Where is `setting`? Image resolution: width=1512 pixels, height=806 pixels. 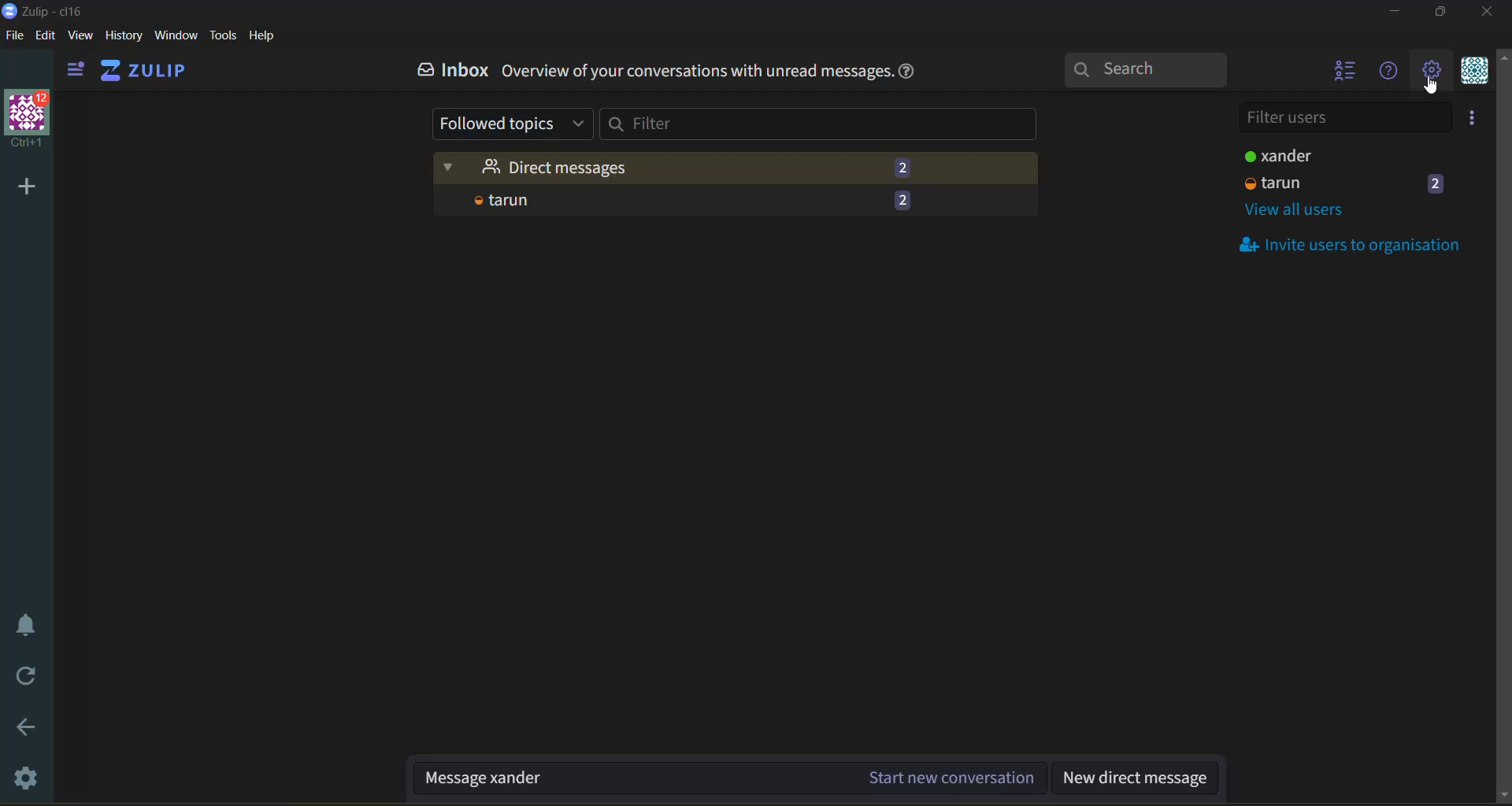 setting is located at coordinates (1430, 72).